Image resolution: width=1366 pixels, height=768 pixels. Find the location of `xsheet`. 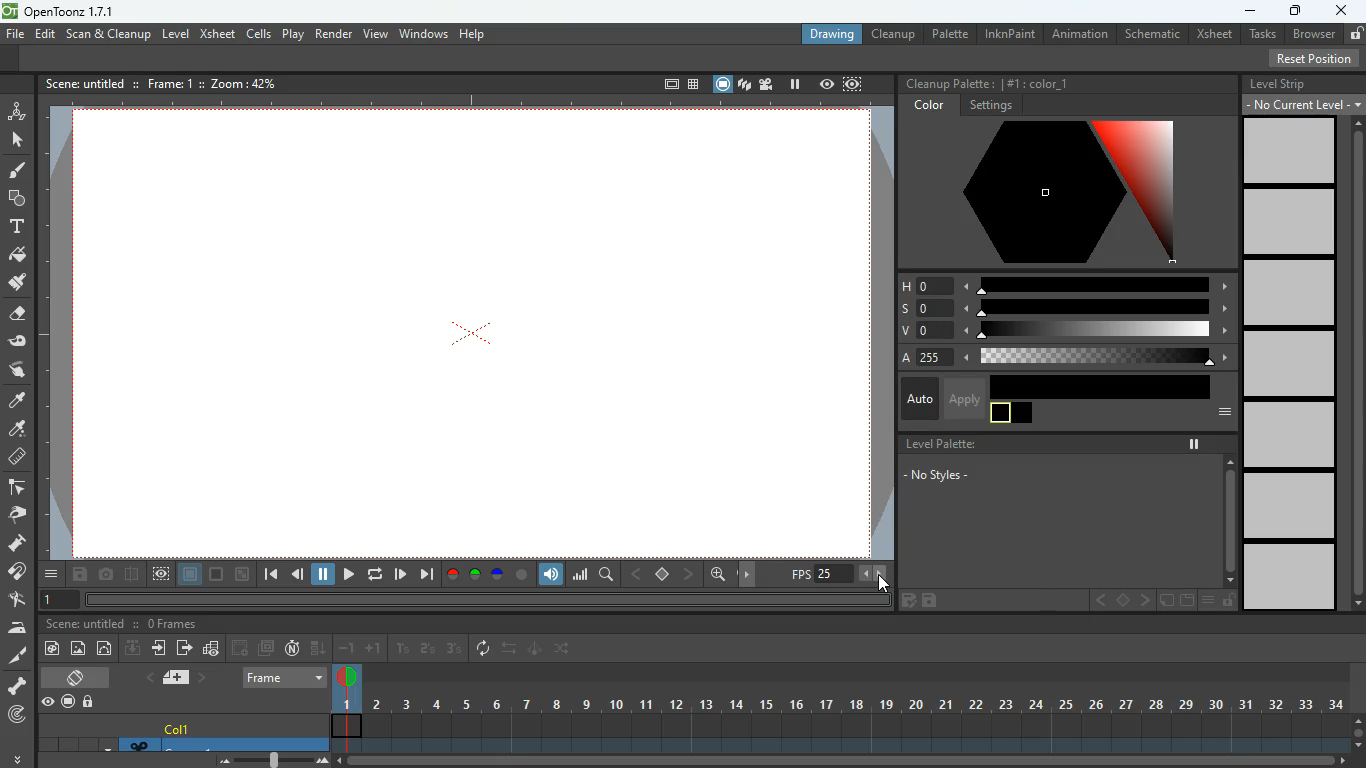

xsheet is located at coordinates (1214, 33).